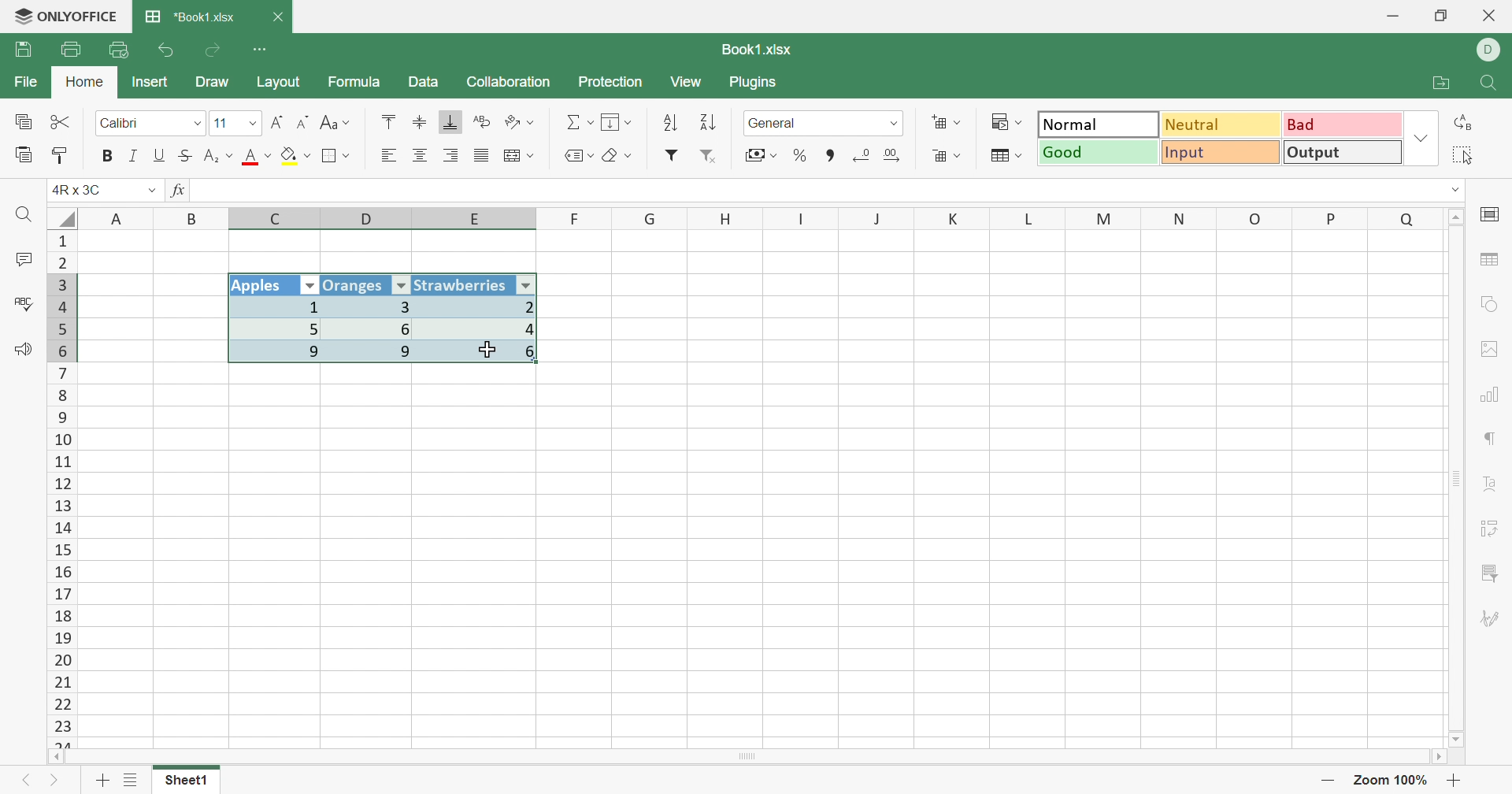 This screenshot has width=1512, height=794. I want to click on Text Art settings, so click(1494, 485).